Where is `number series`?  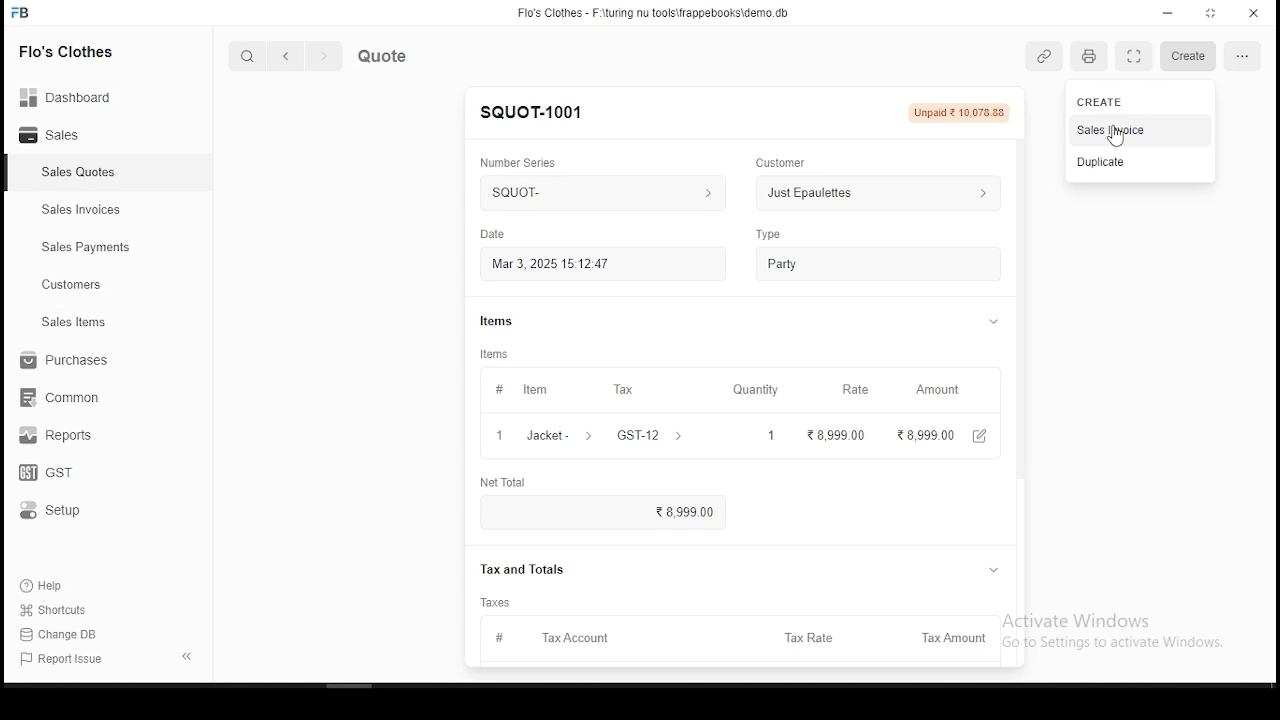 number series is located at coordinates (523, 156).